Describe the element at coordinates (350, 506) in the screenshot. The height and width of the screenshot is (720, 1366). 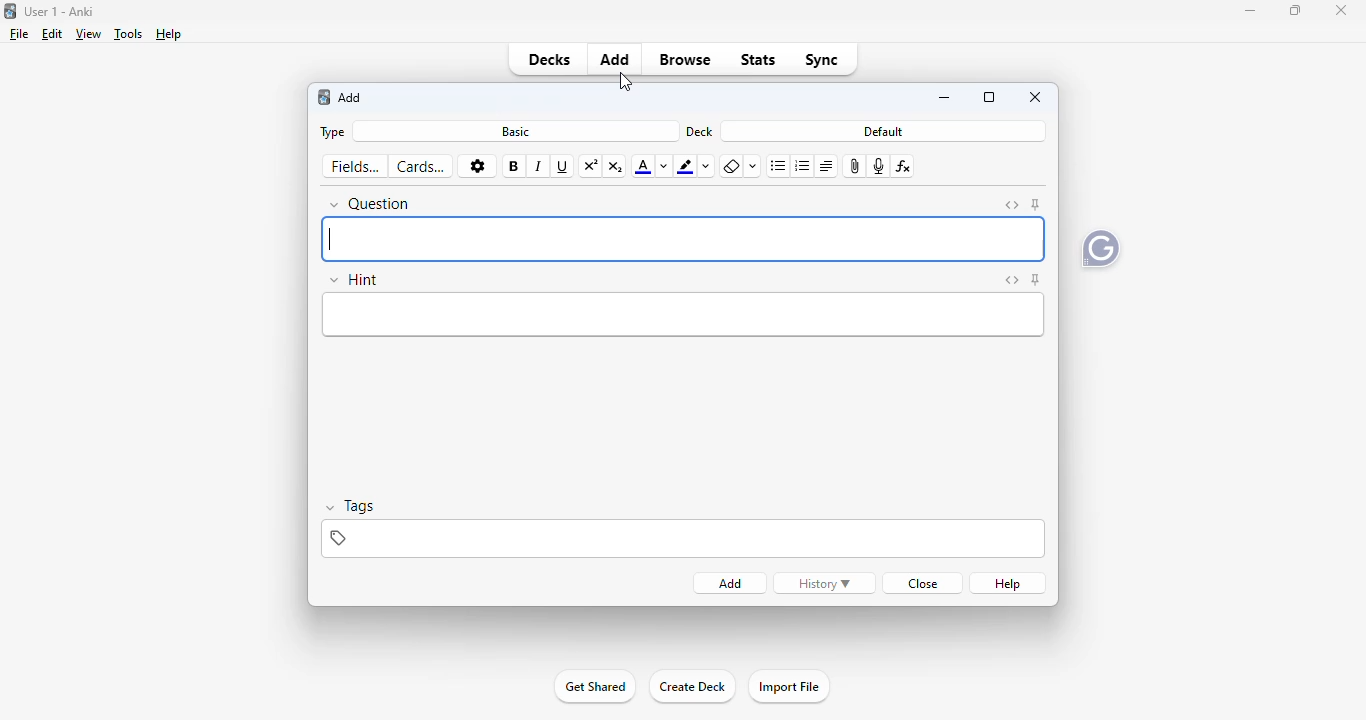
I see `tags` at that location.